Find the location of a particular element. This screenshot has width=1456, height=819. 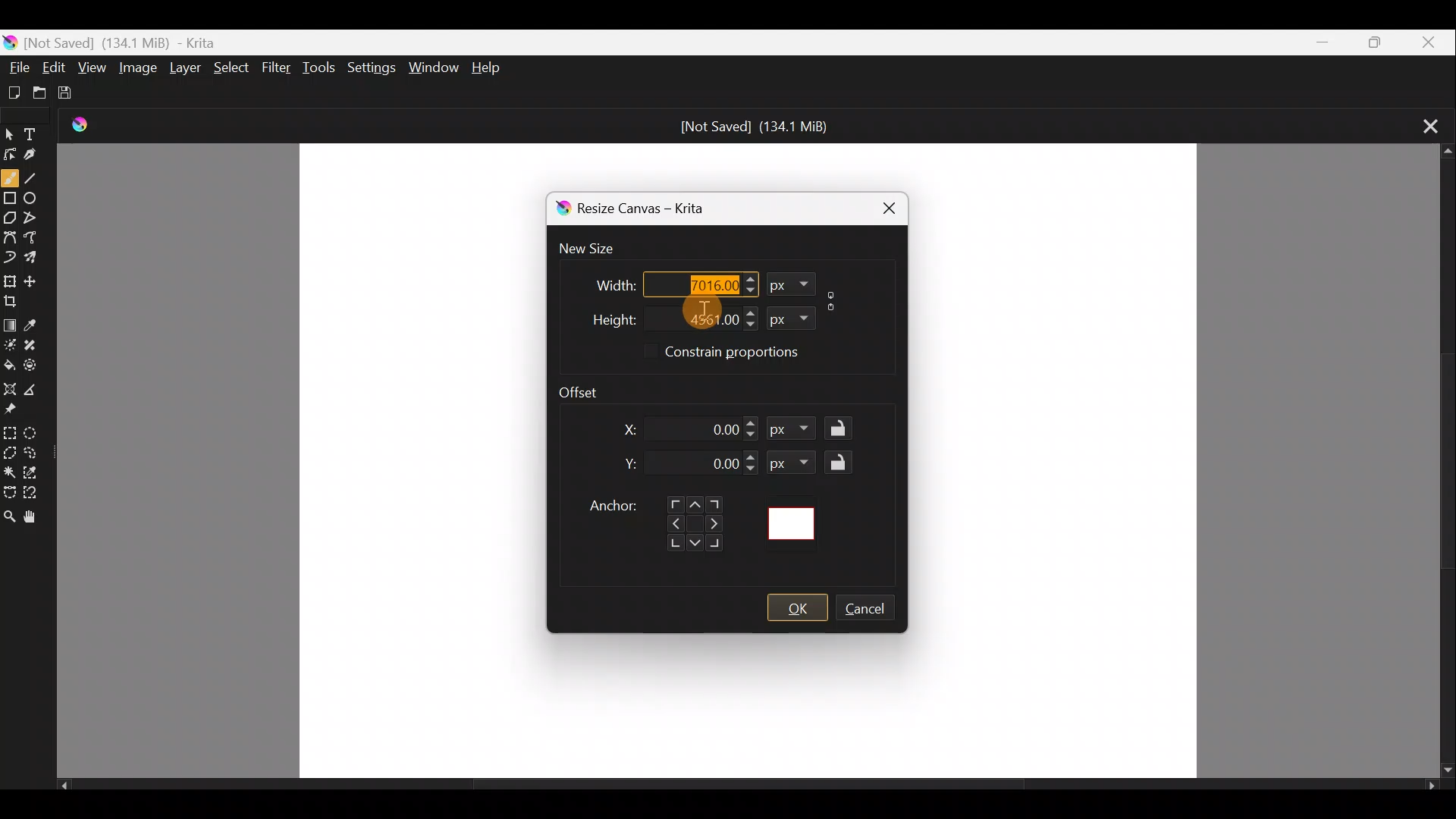

Select is located at coordinates (232, 67).